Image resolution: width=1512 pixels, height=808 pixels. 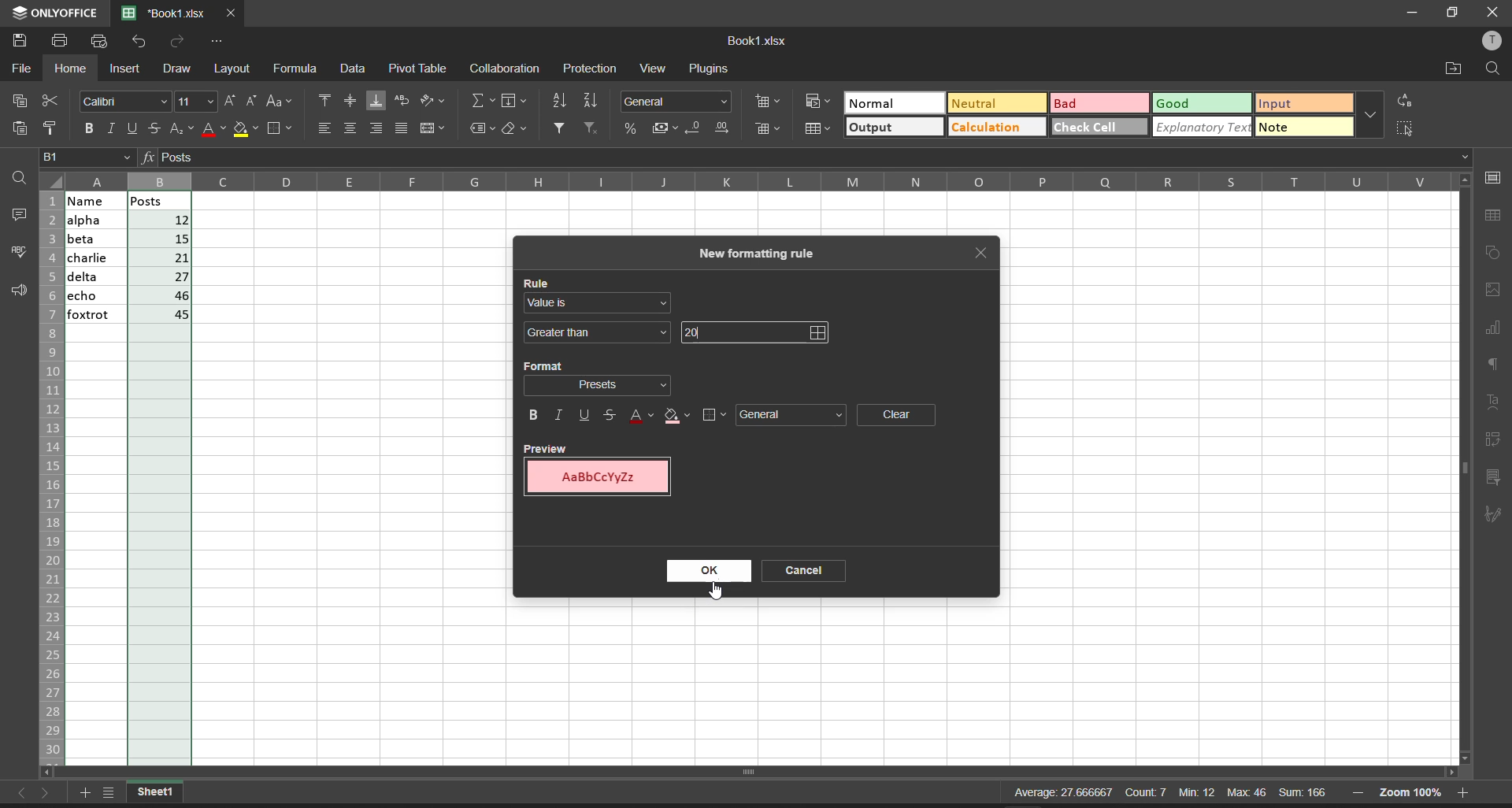 I want to click on move to the sheet right, so click(x=46, y=791).